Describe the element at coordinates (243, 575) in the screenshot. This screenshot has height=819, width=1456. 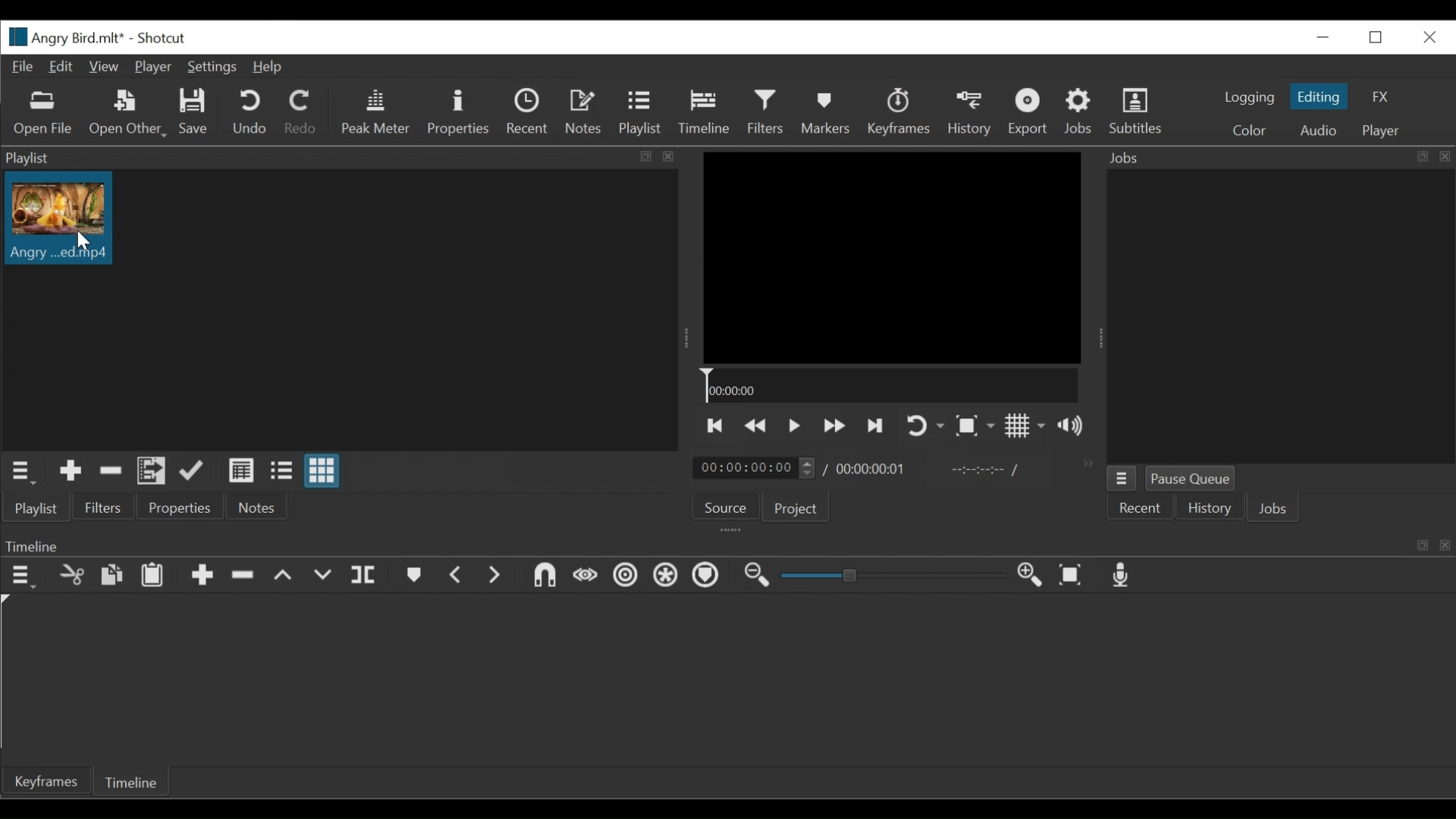
I see `Ripple delete` at that location.